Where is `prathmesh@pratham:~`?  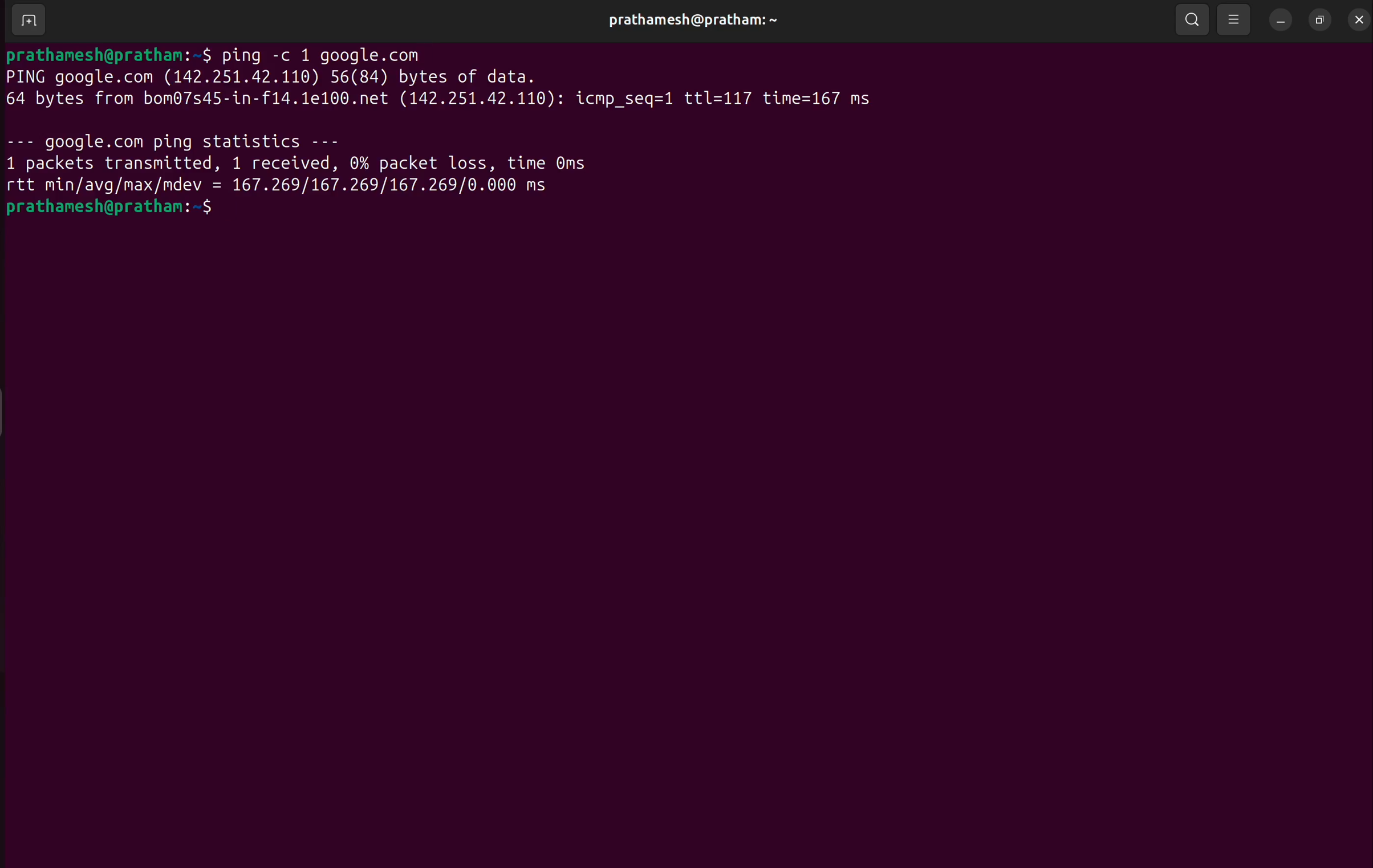
prathmesh@pratham:~ is located at coordinates (692, 20).